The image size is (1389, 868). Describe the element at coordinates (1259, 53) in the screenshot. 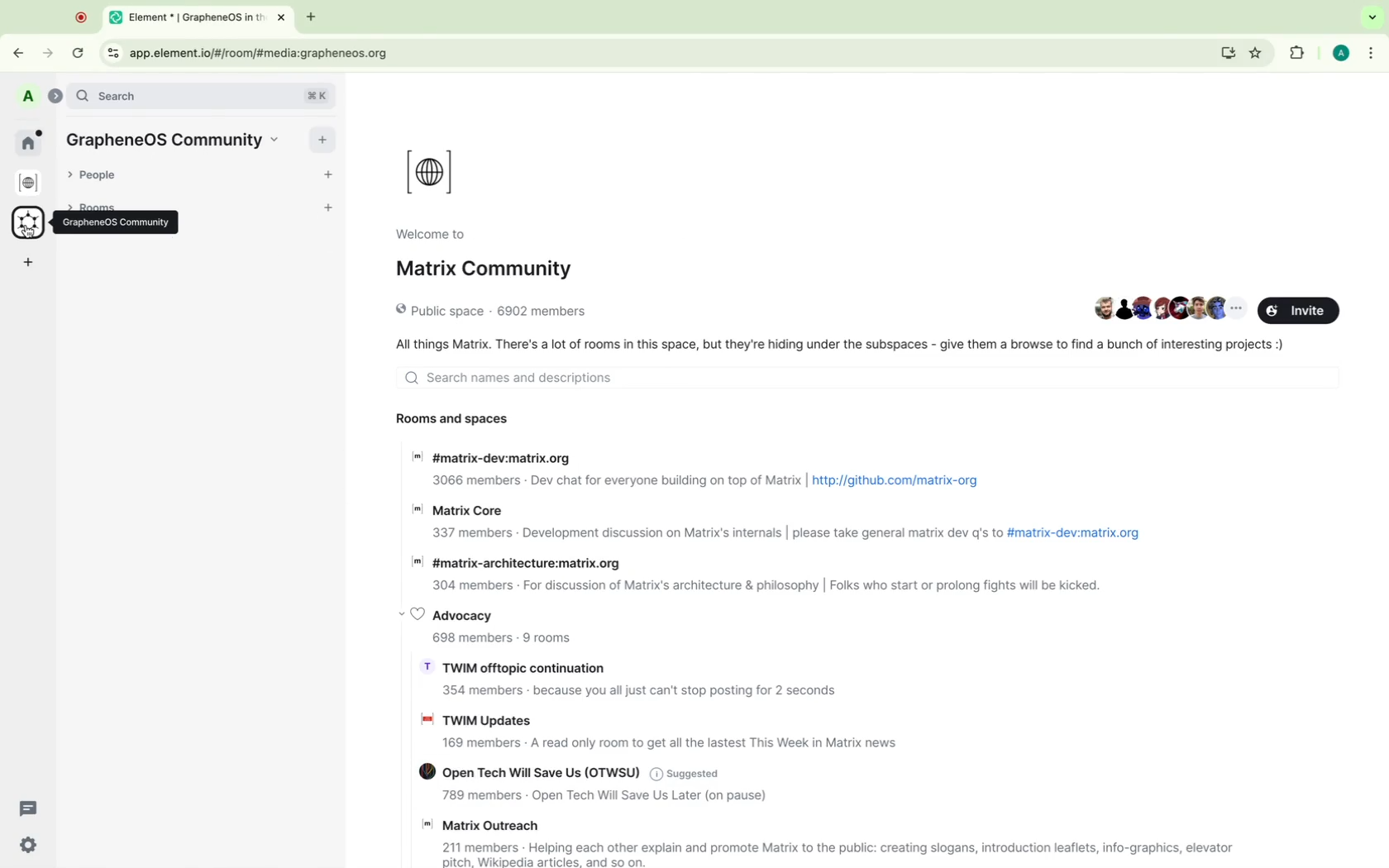

I see `favorites` at that location.